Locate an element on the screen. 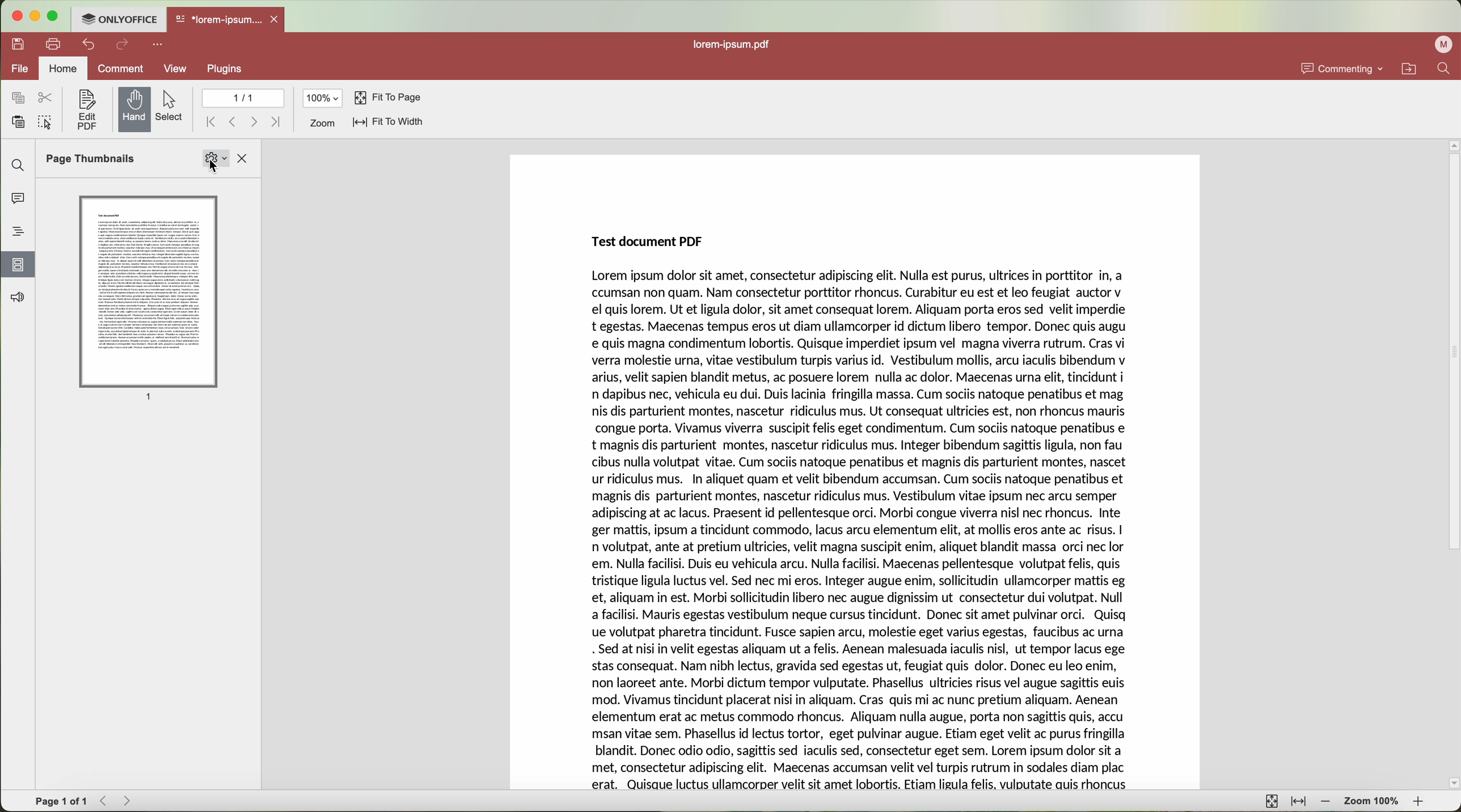 This screenshot has width=1461, height=812. headings is located at coordinates (18, 232).